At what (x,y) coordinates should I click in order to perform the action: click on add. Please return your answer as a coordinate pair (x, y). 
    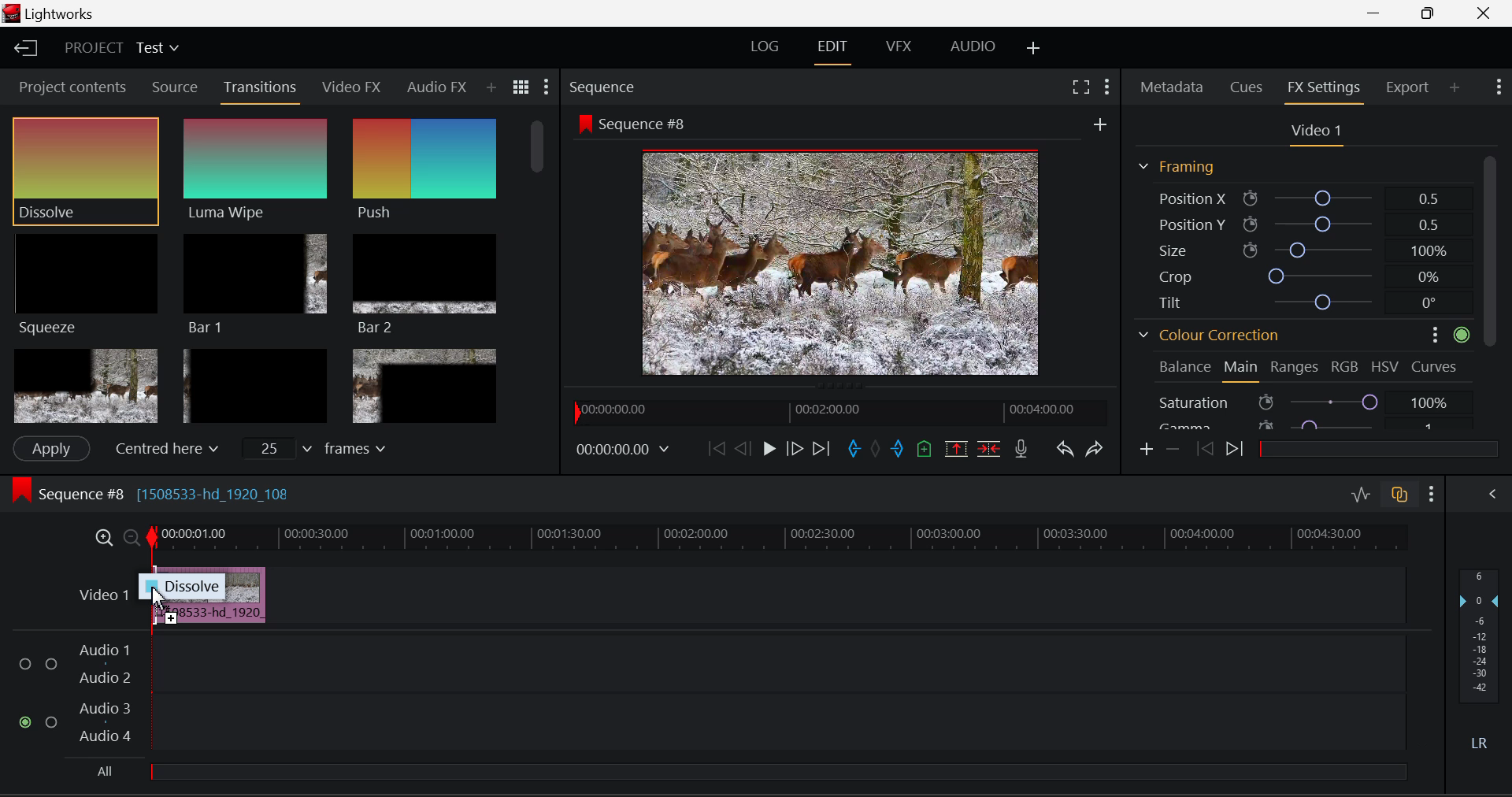
    Looking at the image, I should click on (1100, 121).